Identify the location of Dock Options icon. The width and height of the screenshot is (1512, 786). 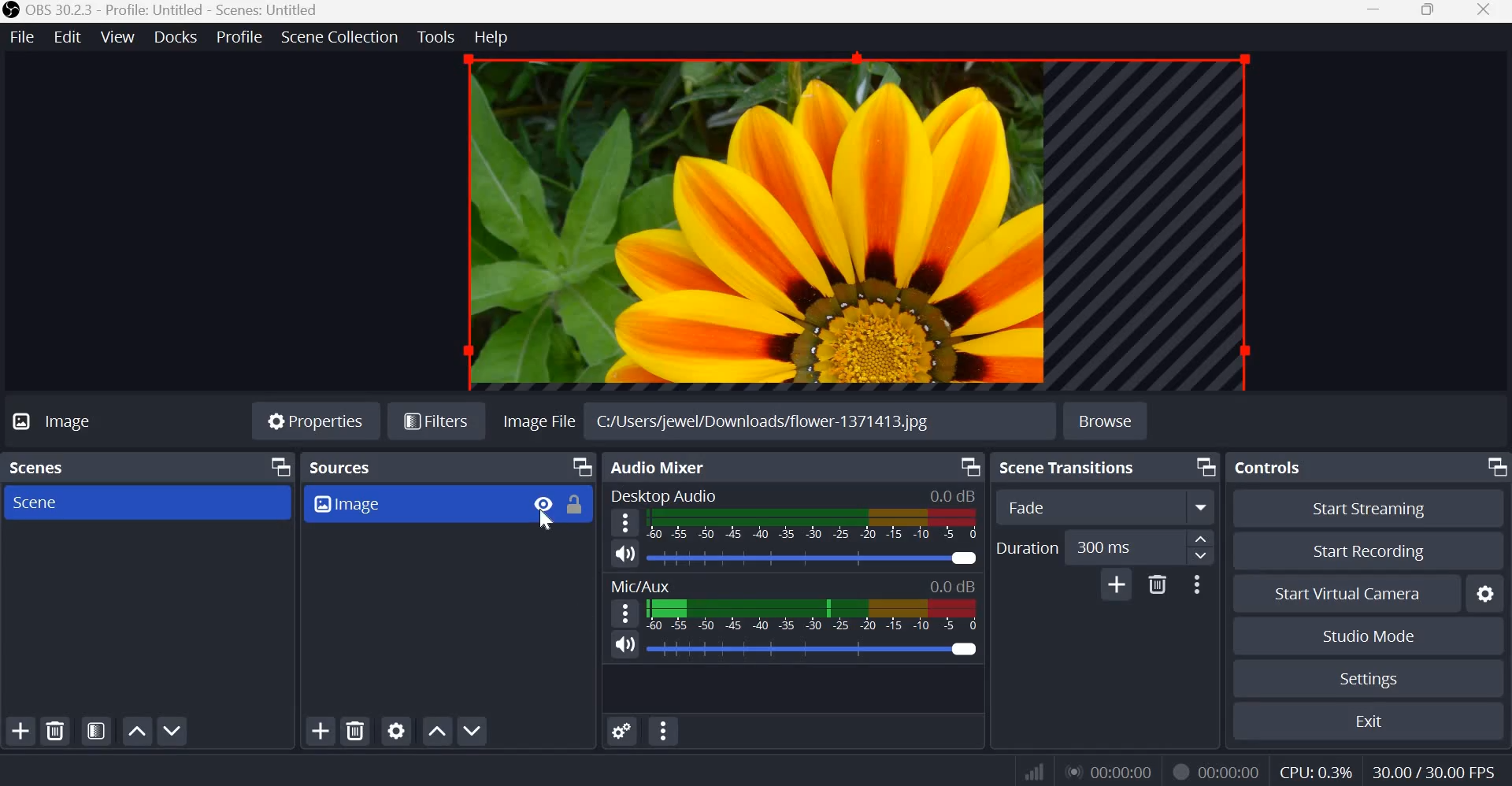
(580, 467).